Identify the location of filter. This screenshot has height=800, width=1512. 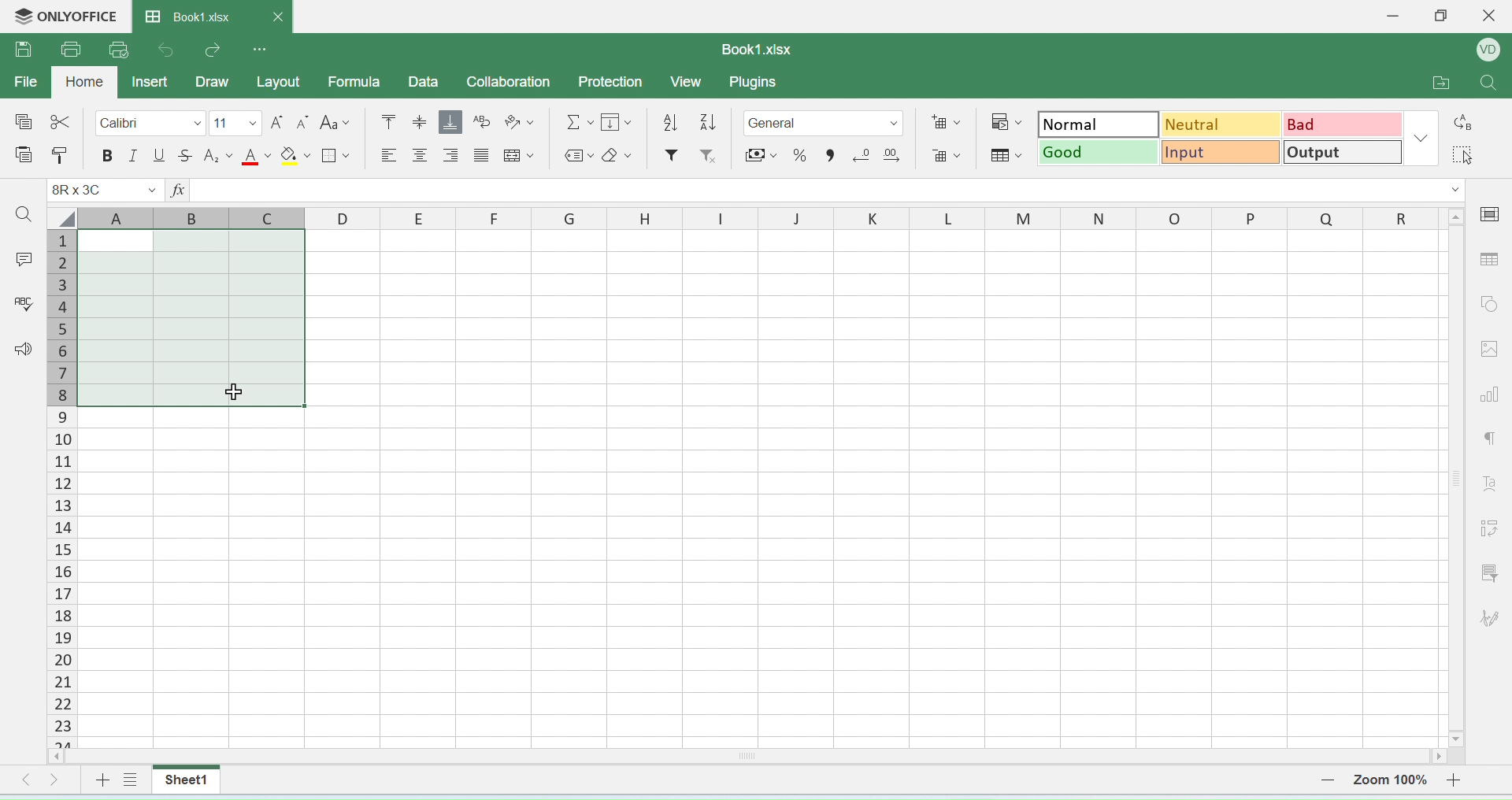
(1492, 574).